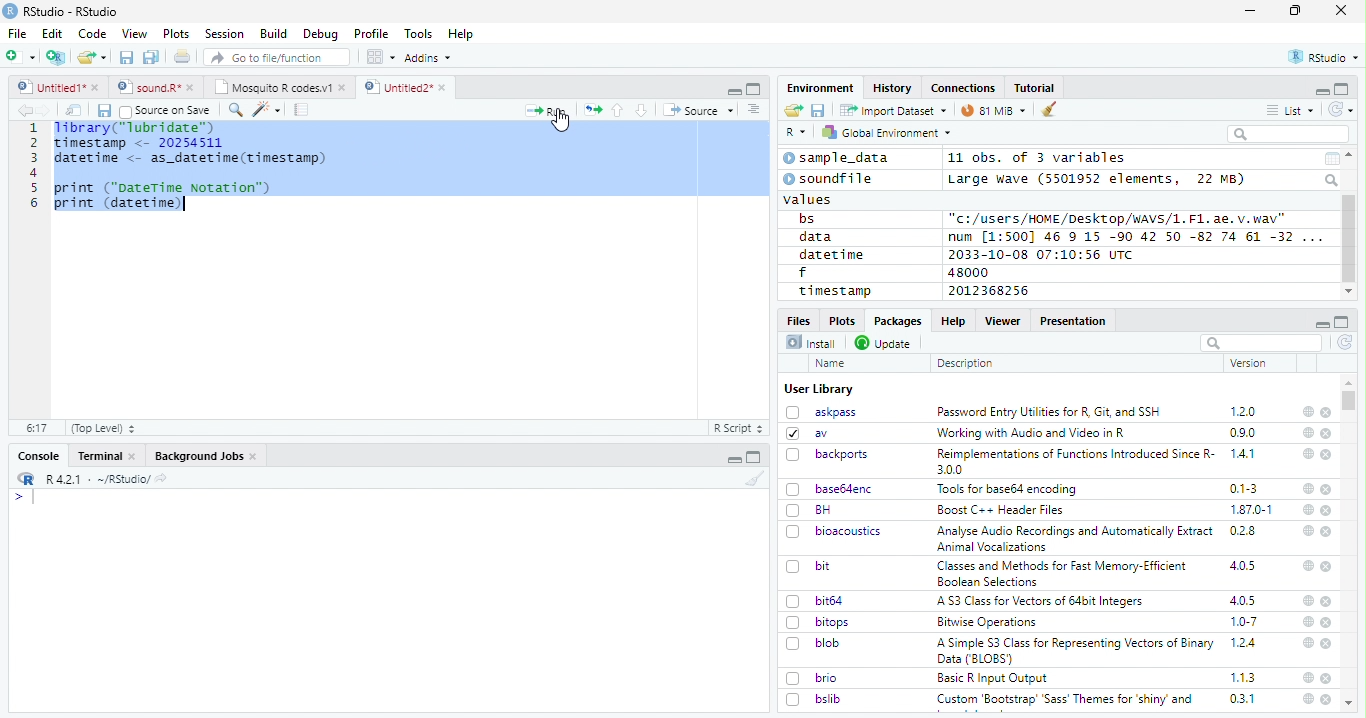  What do you see at coordinates (800, 319) in the screenshot?
I see `Files` at bounding box center [800, 319].